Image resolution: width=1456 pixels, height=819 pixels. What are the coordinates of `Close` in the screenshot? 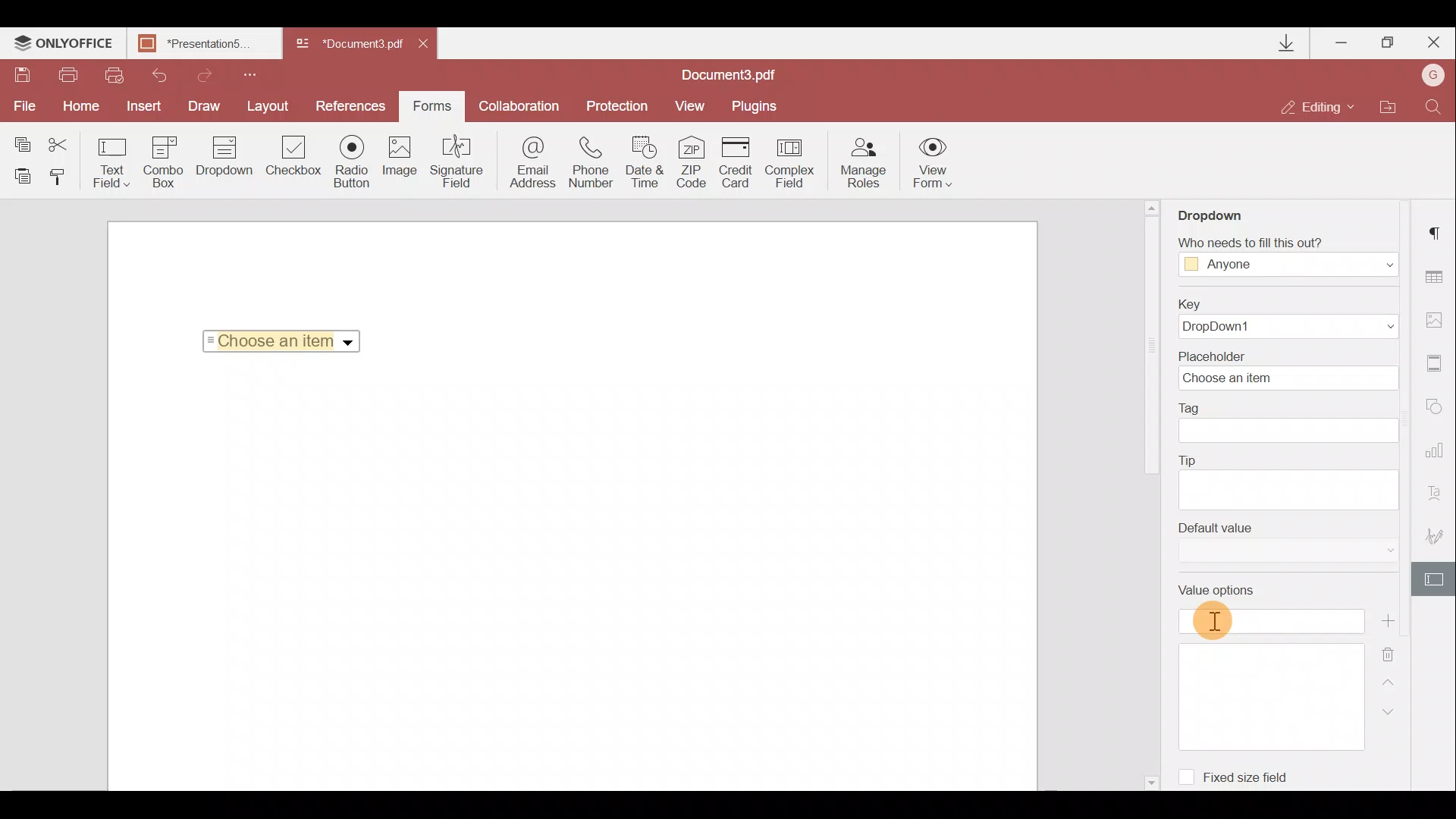 It's located at (428, 41).